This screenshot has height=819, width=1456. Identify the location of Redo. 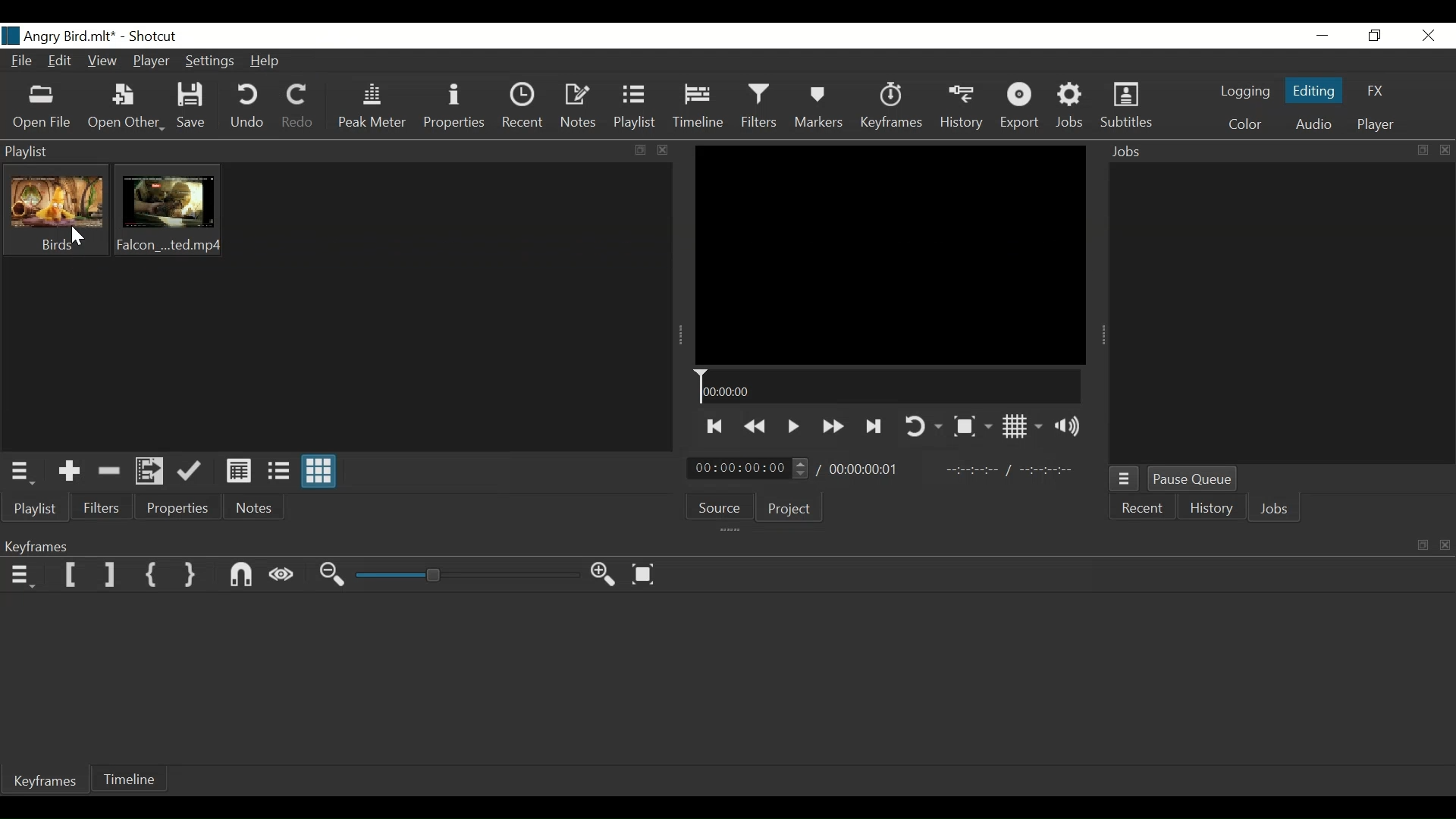
(298, 108).